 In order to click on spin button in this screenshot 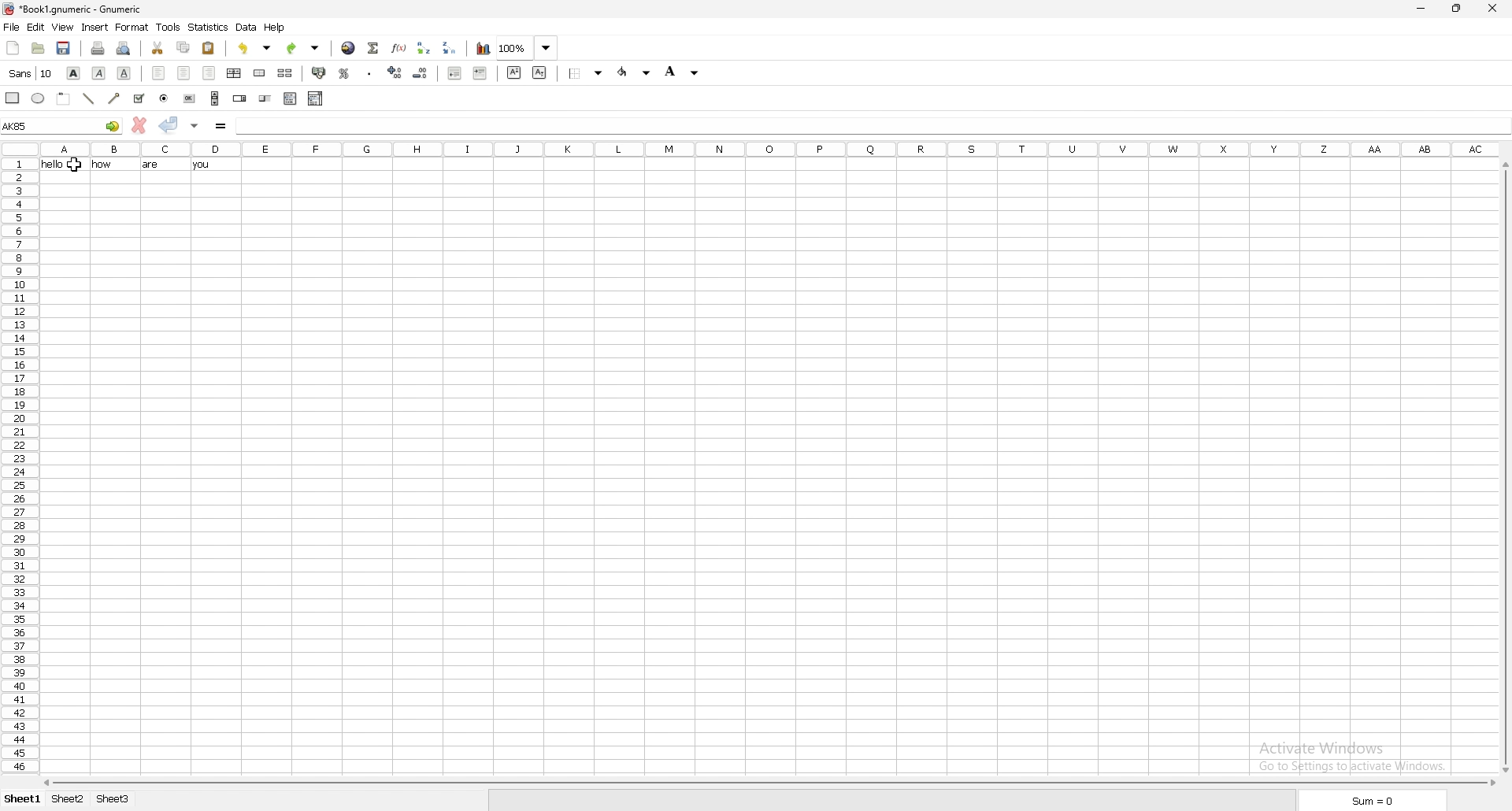, I will do `click(239, 98)`.